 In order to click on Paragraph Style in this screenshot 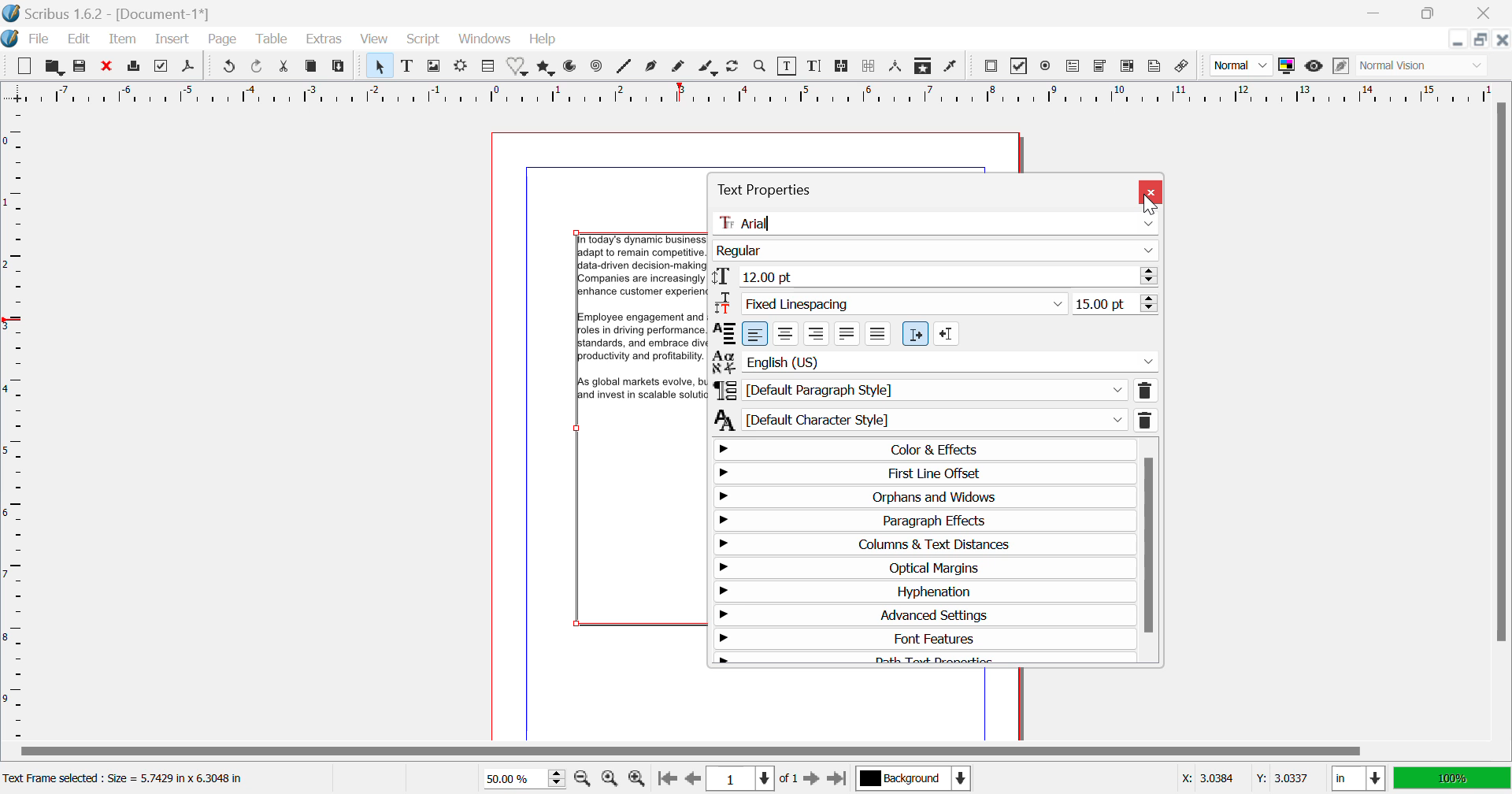, I will do `click(934, 391)`.